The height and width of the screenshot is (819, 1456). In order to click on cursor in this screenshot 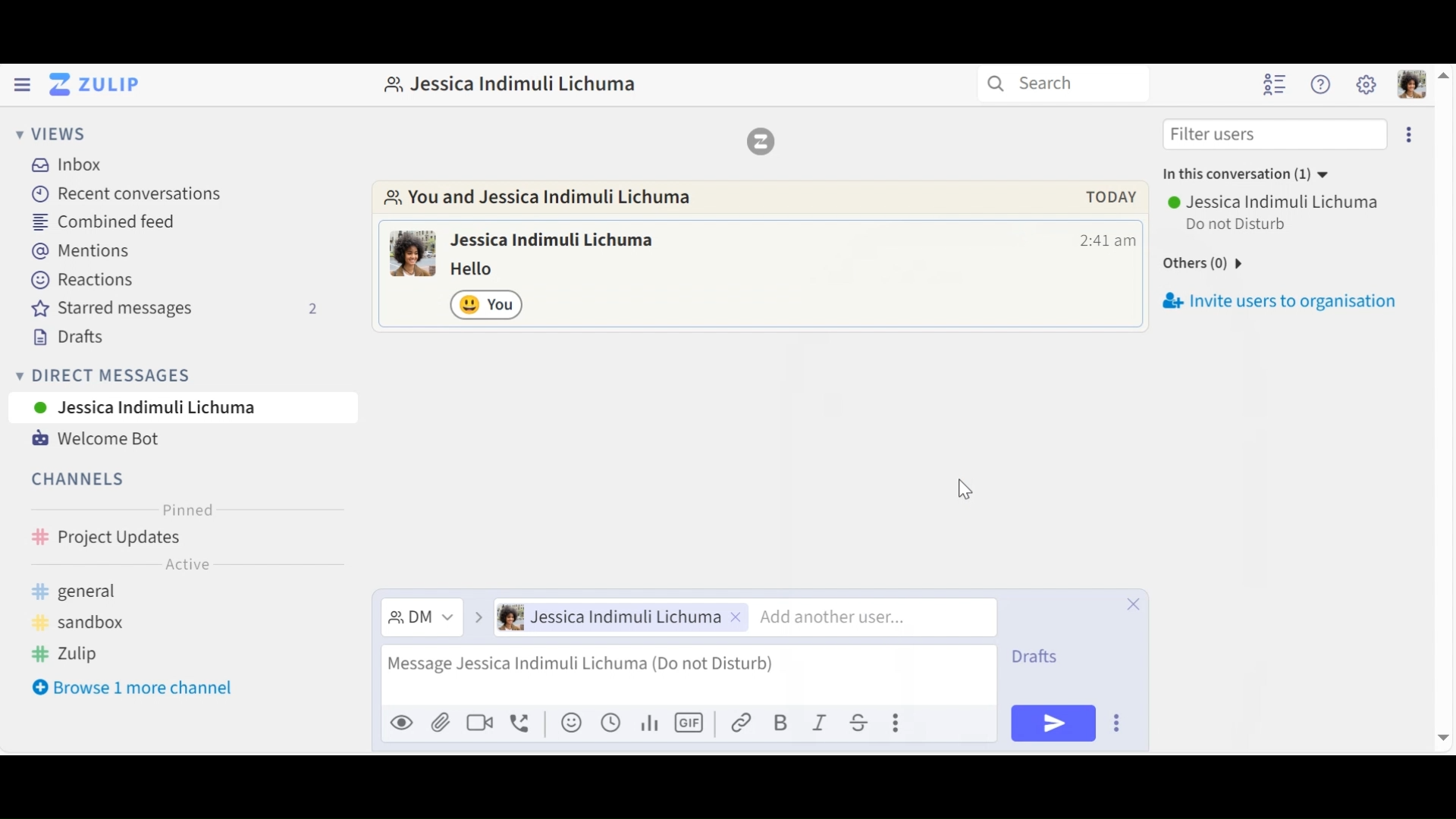, I will do `click(968, 489)`.